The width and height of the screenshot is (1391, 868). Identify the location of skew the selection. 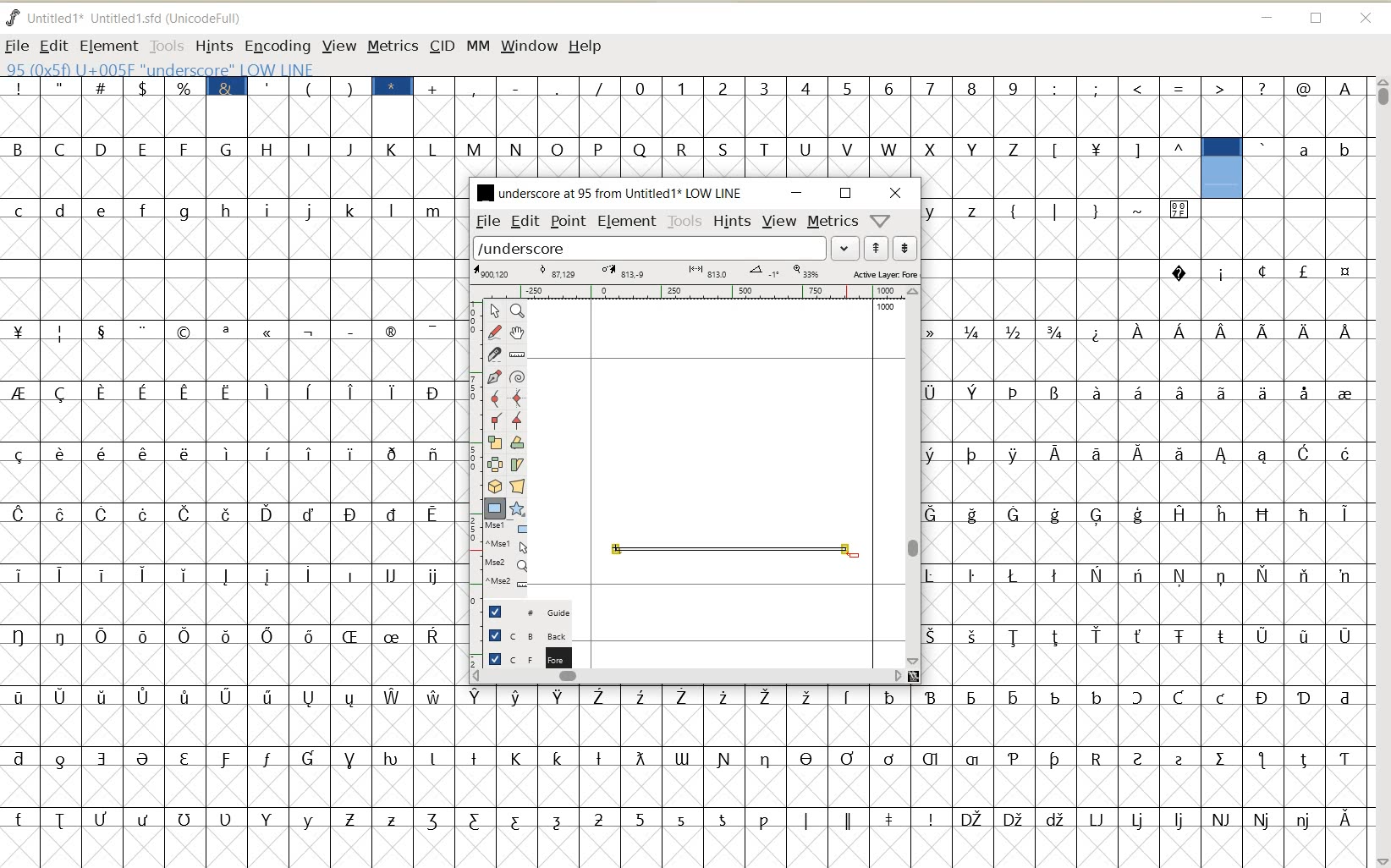
(516, 465).